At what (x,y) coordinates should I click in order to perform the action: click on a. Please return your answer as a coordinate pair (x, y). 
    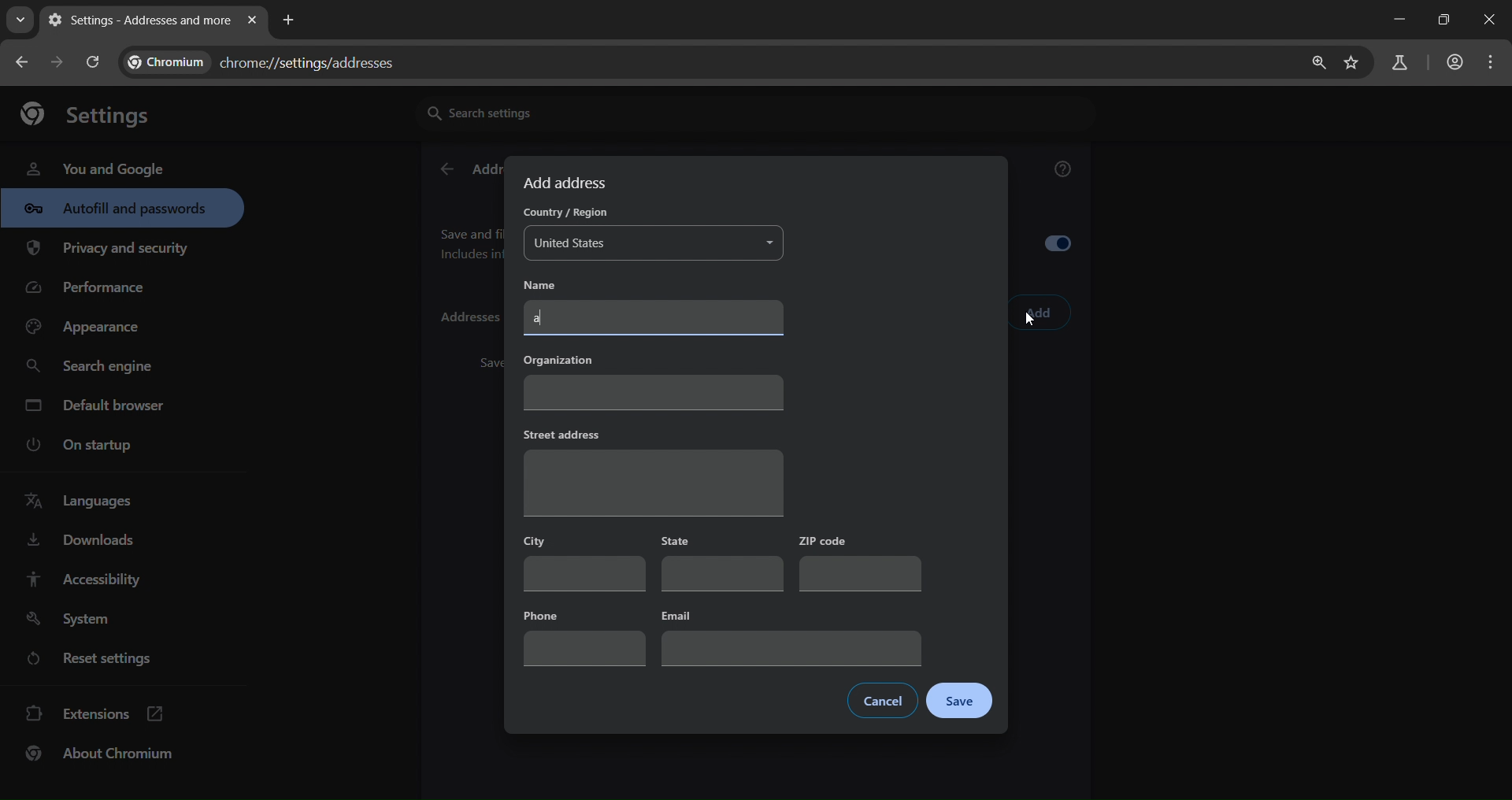
    Looking at the image, I should click on (656, 317).